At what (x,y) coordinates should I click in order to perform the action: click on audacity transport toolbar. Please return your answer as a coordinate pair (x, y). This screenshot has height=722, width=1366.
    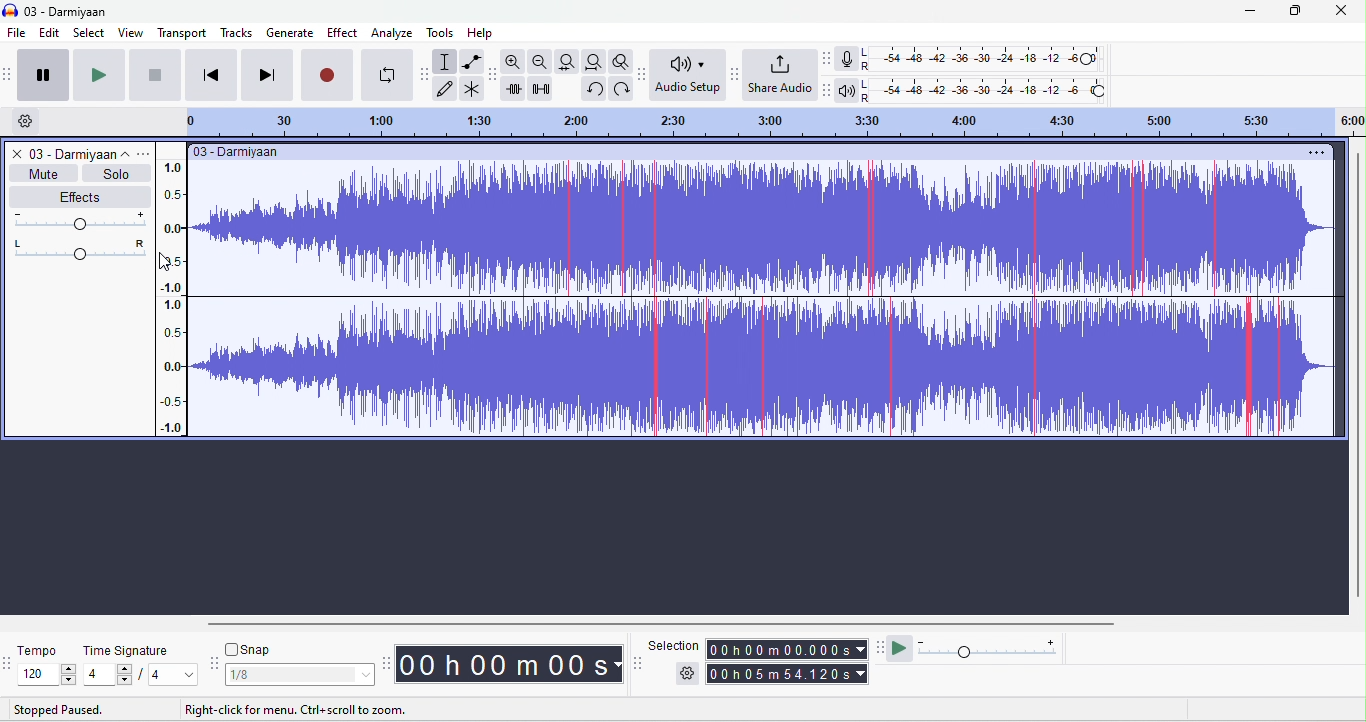
    Looking at the image, I should click on (9, 72).